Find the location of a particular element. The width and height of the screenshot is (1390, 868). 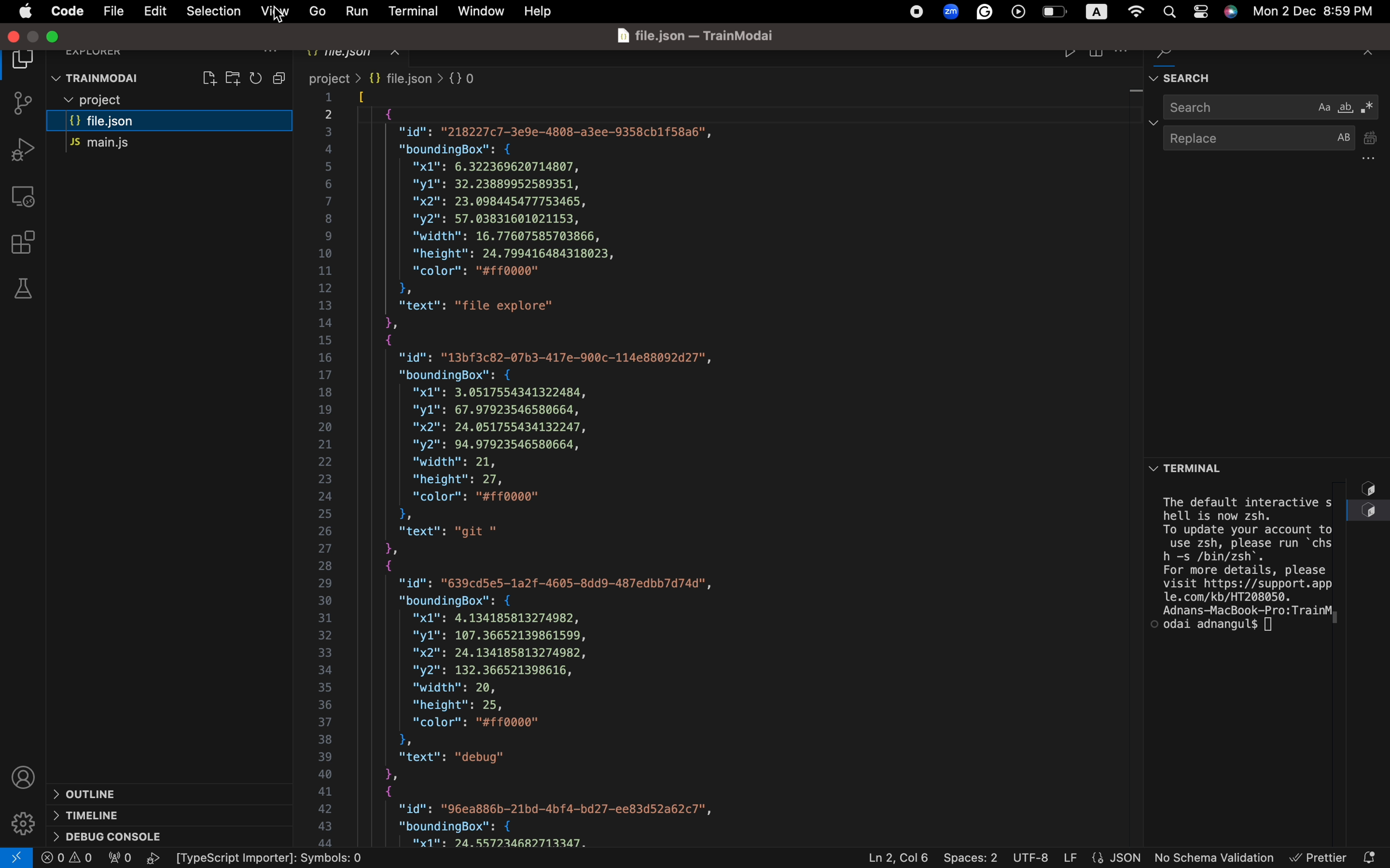

replace is located at coordinates (1275, 146).